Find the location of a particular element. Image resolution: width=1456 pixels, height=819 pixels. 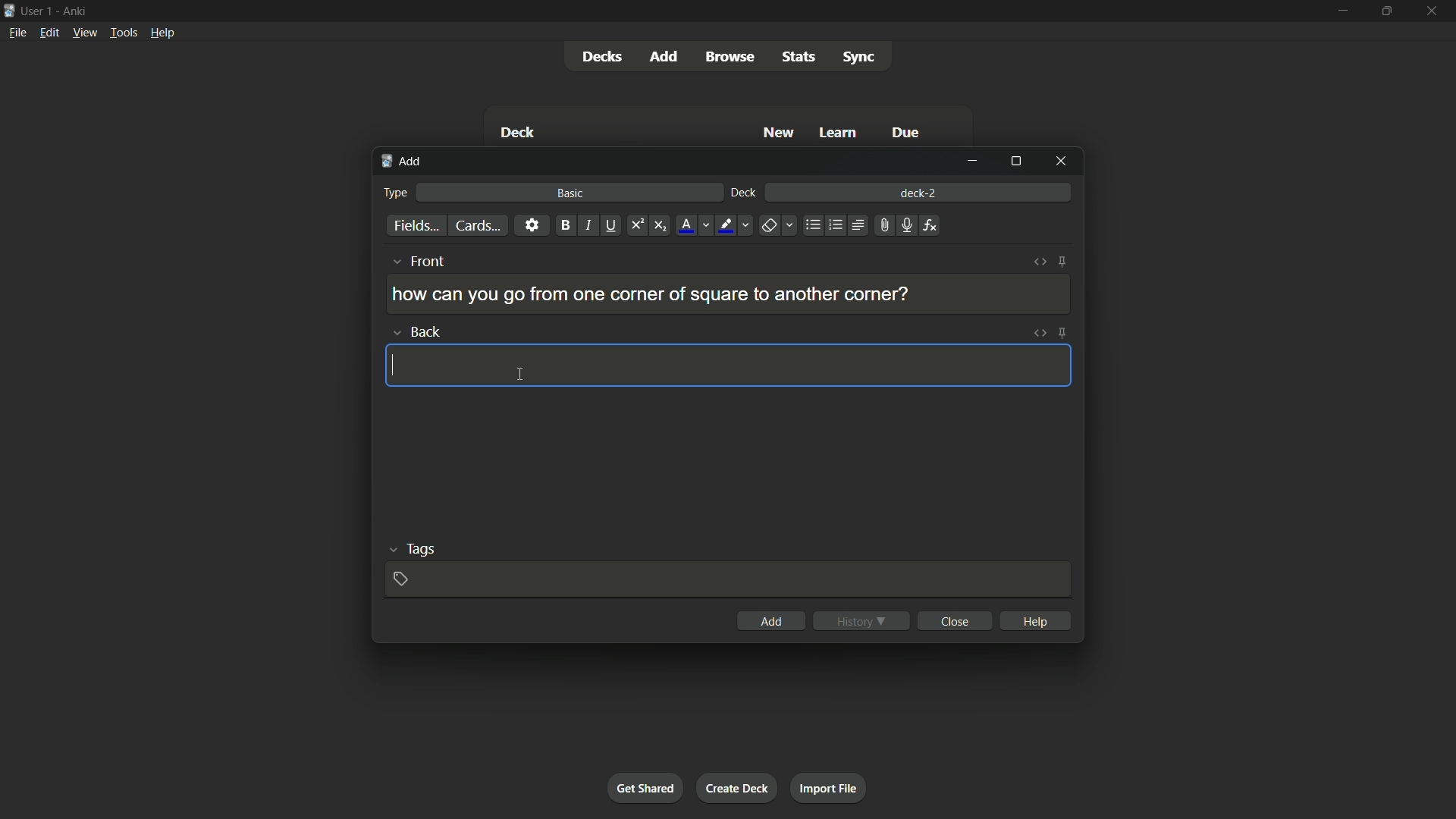

toggle sticky is located at coordinates (1064, 262).